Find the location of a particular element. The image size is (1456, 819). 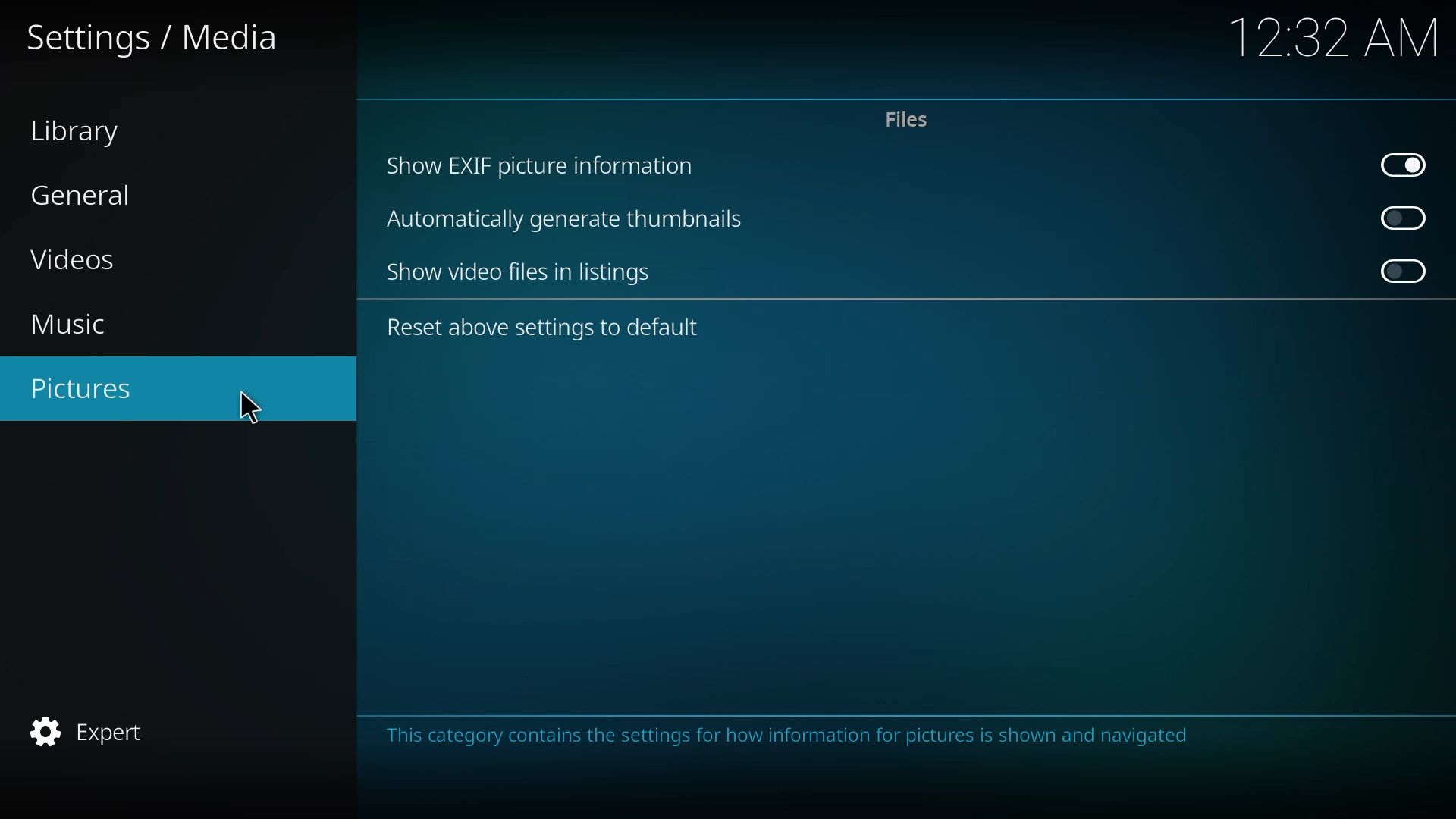

click to enable is located at coordinates (1399, 216).